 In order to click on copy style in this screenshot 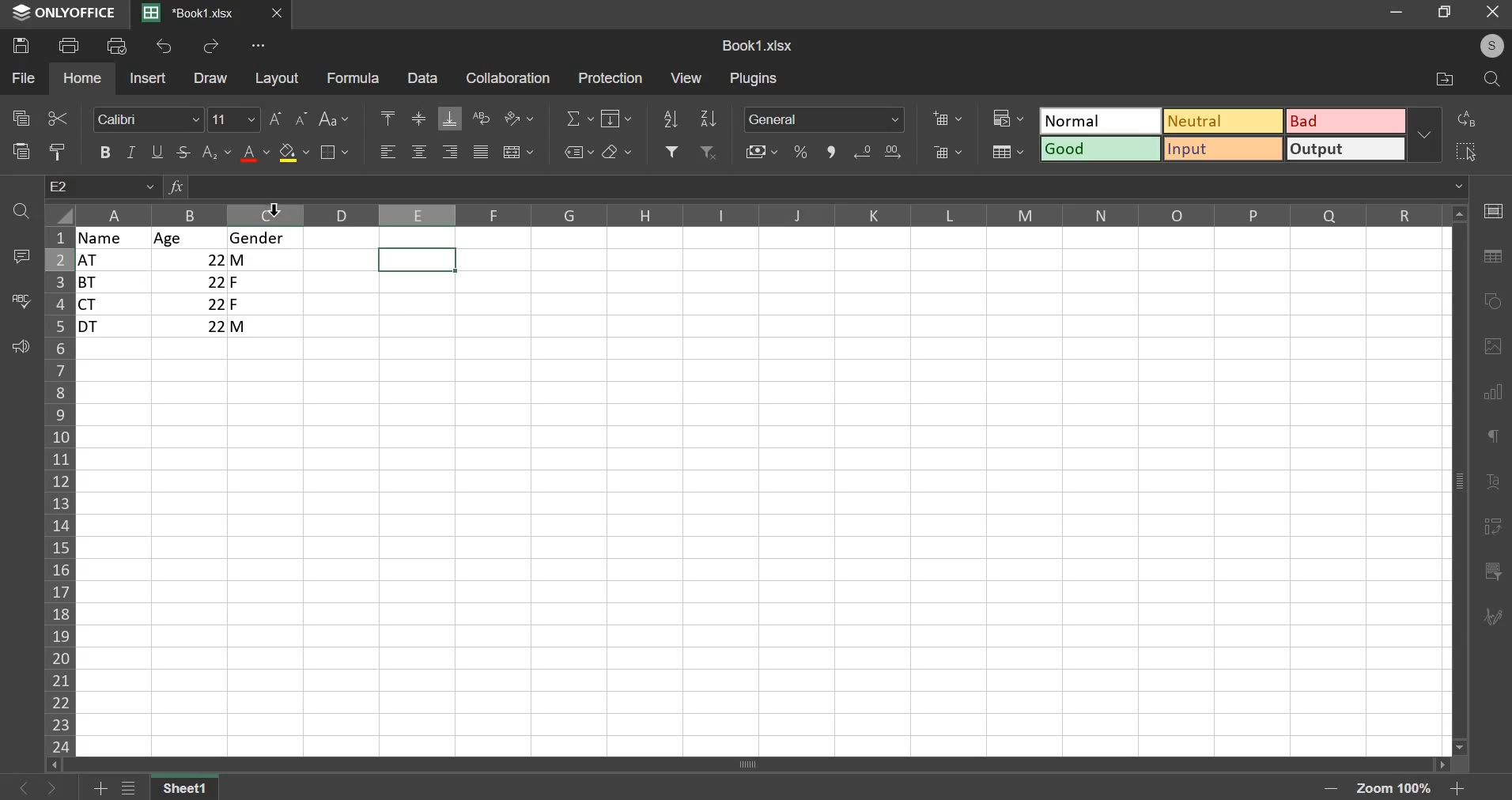, I will do `click(58, 151)`.